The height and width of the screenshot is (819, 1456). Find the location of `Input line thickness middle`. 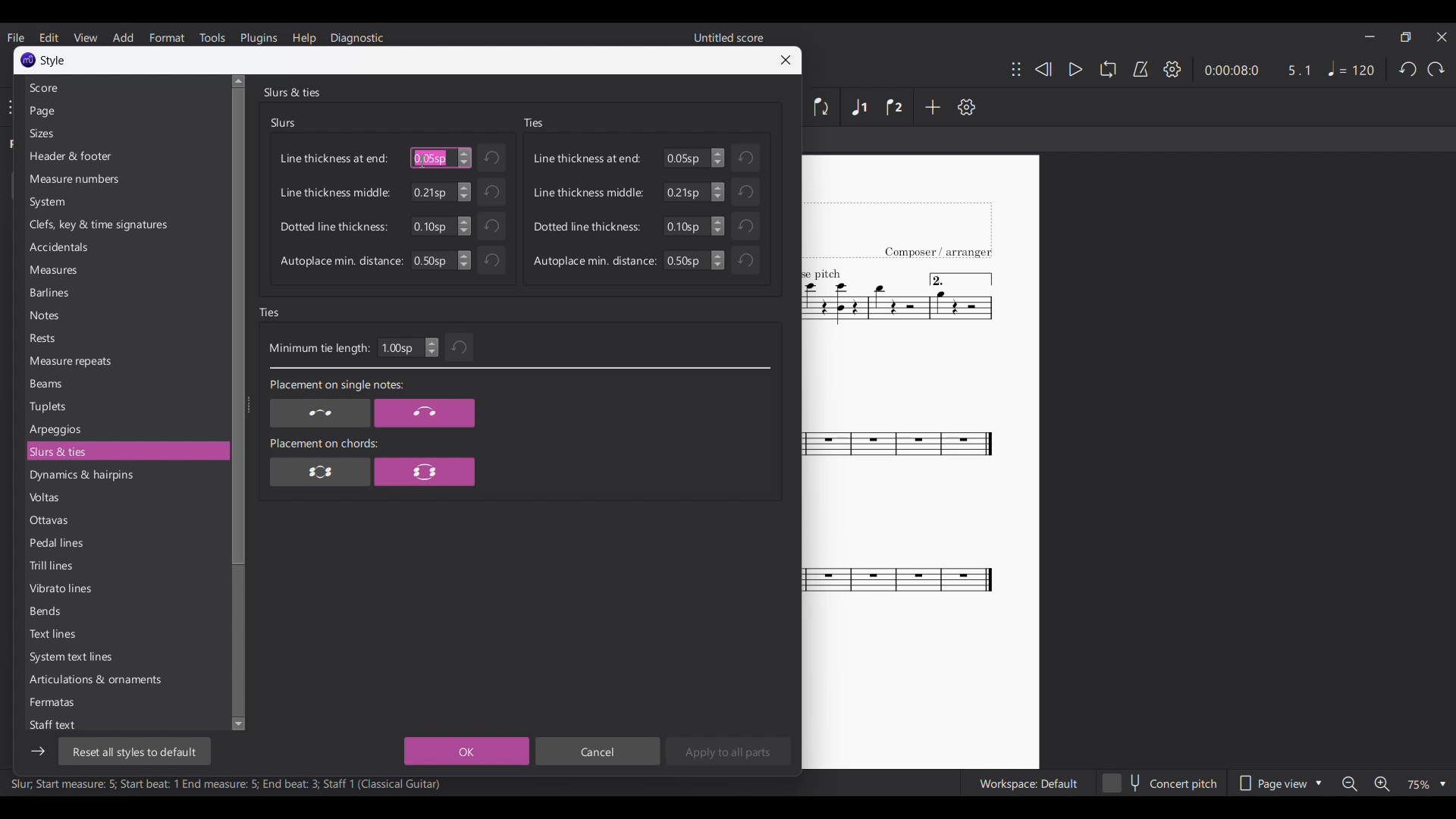

Input line thickness middle is located at coordinates (686, 192).